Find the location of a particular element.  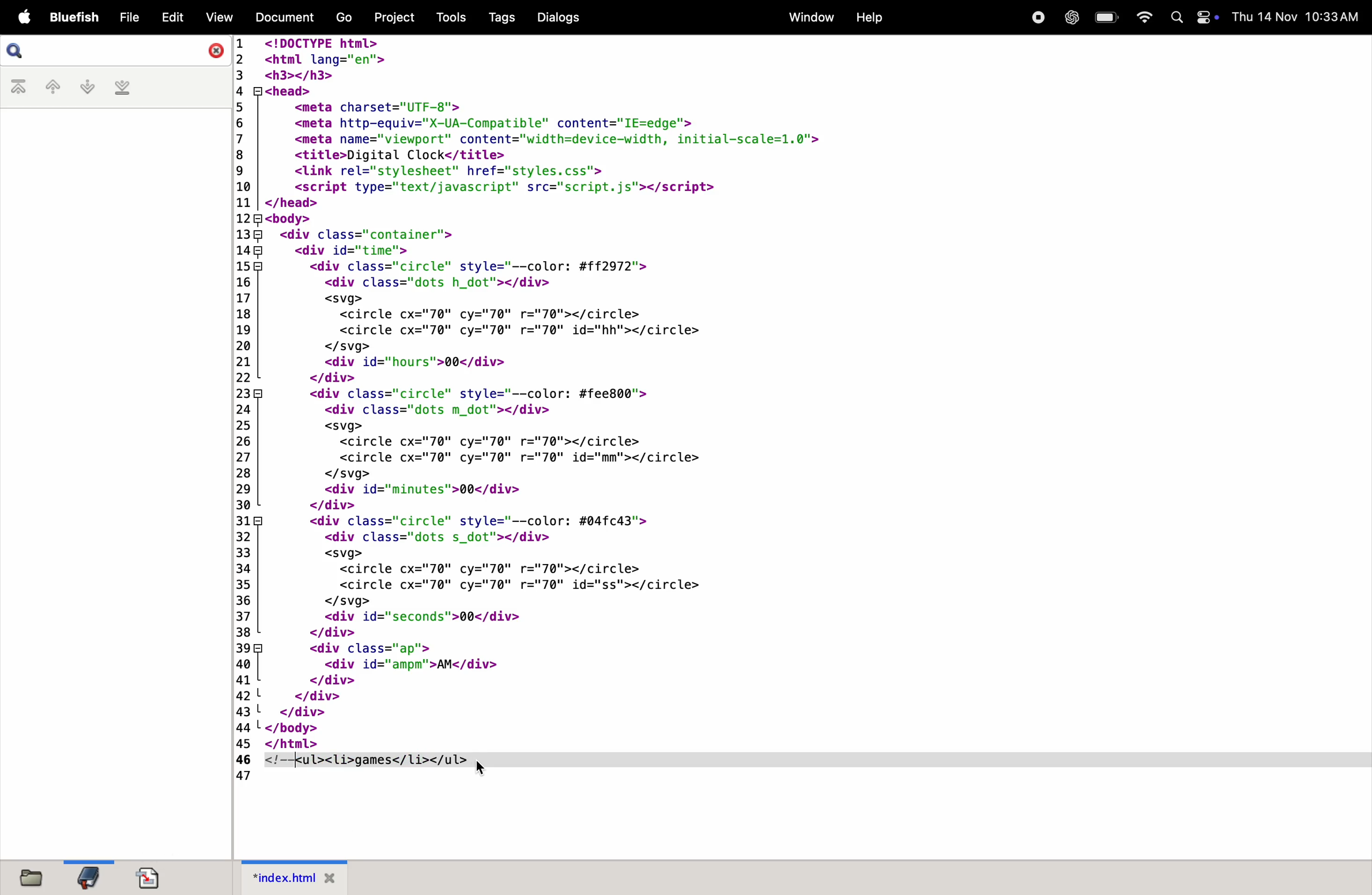

document is located at coordinates (152, 877).